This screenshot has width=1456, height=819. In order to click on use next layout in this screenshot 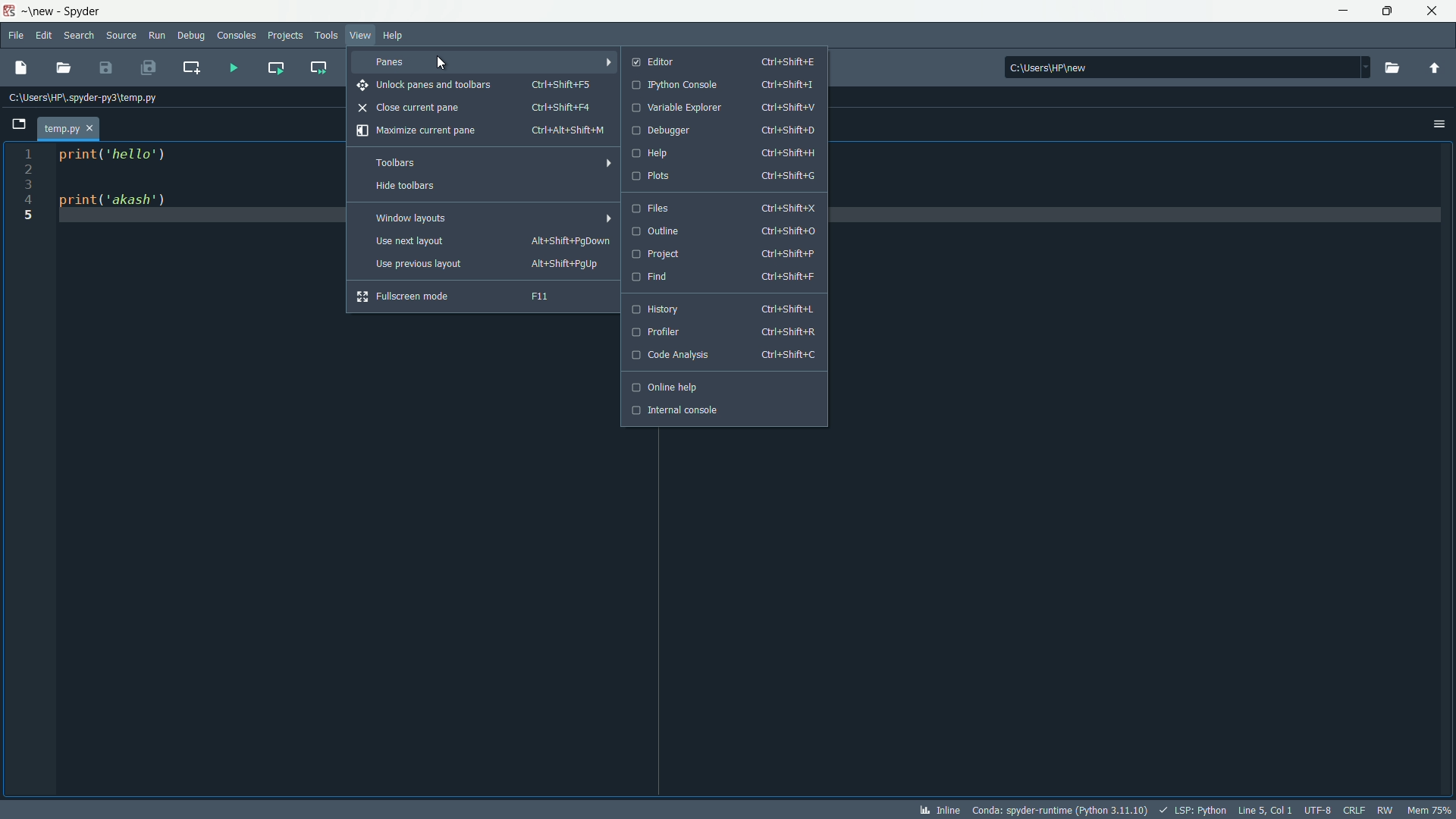, I will do `click(491, 242)`.